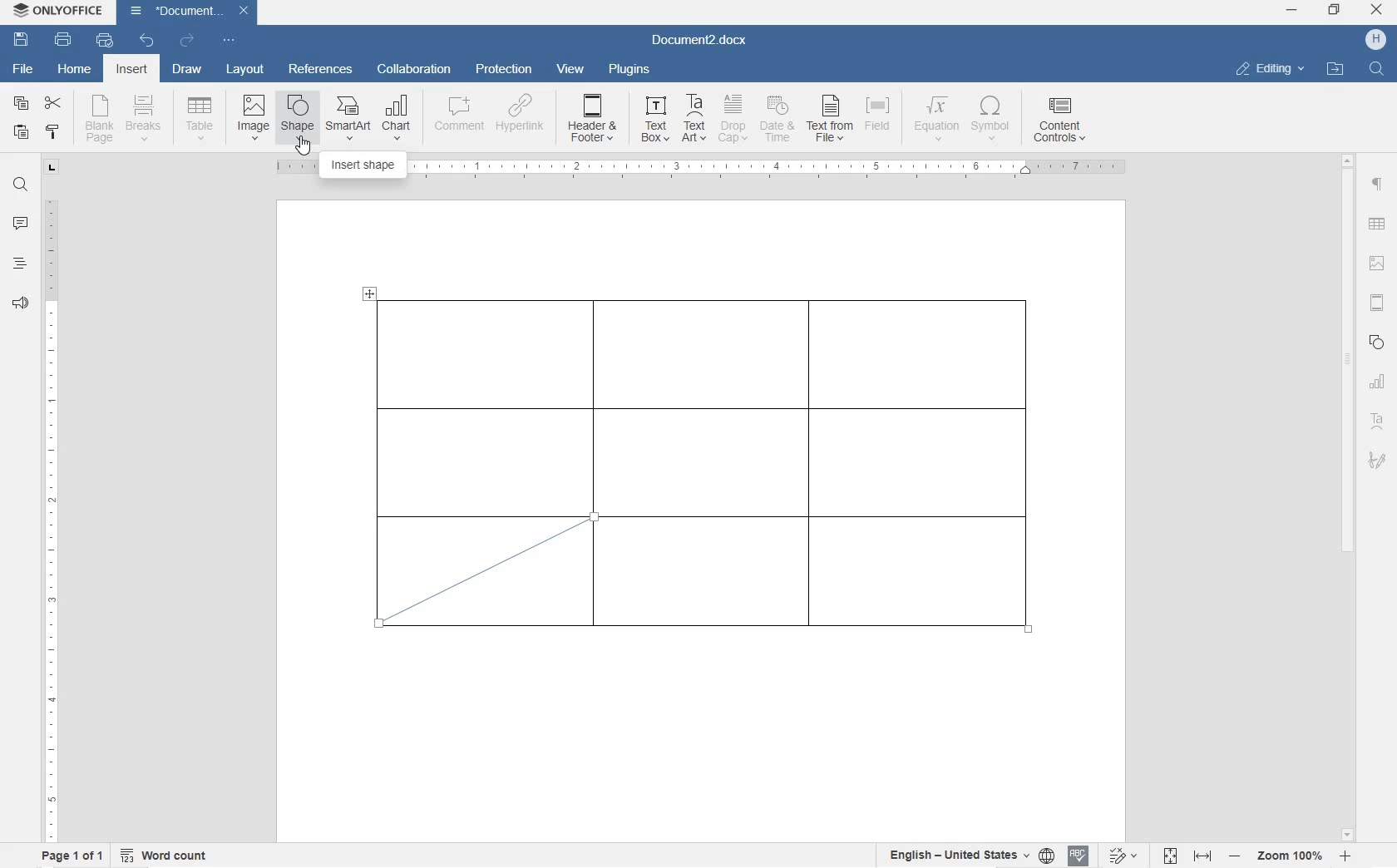 The height and width of the screenshot is (868, 1397). I want to click on signature, so click(1376, 460).